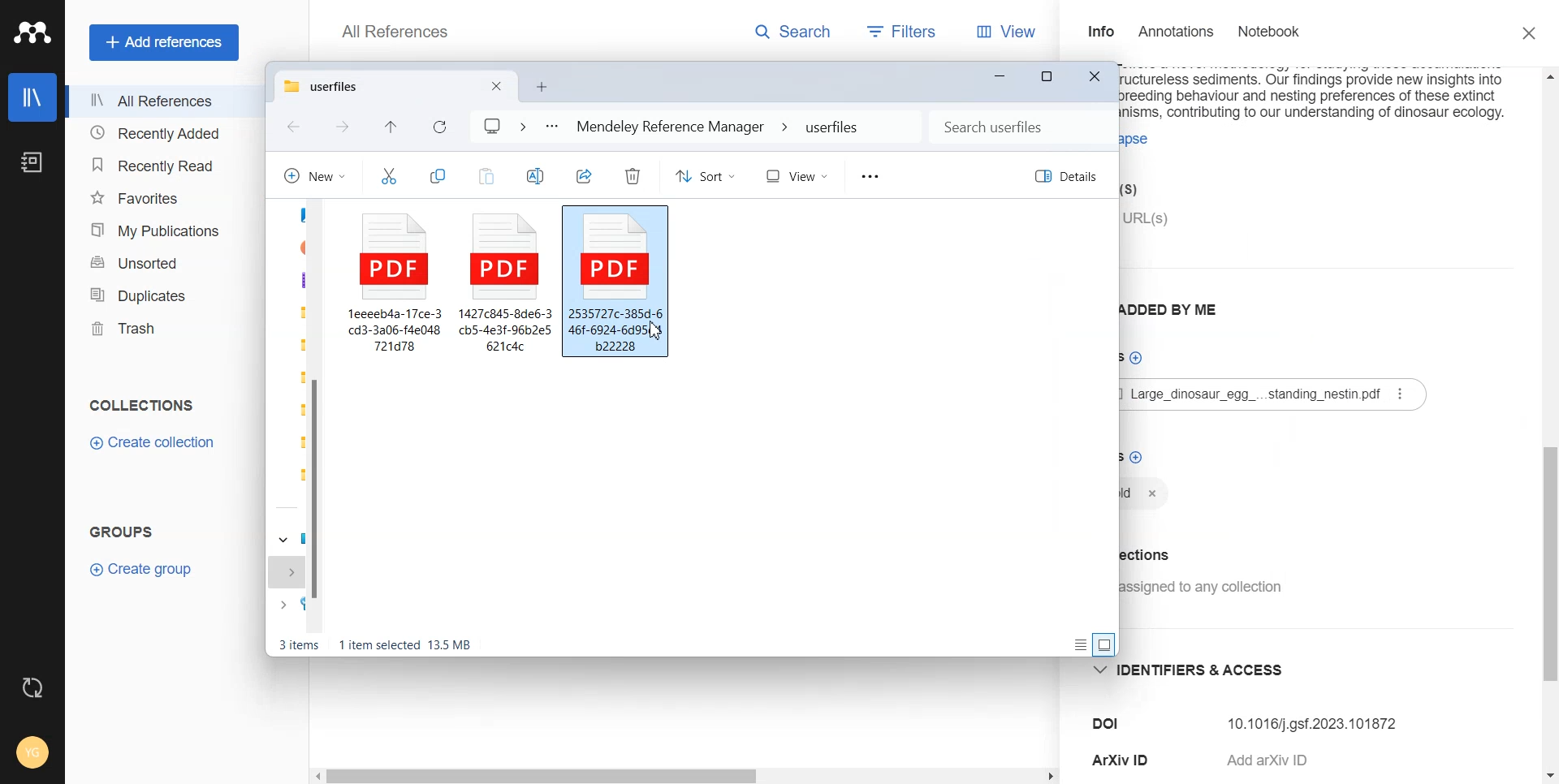 Image resolution: width=1559 pixels, height=784 pixels. I want to click on Recent file, so click(392, 127).